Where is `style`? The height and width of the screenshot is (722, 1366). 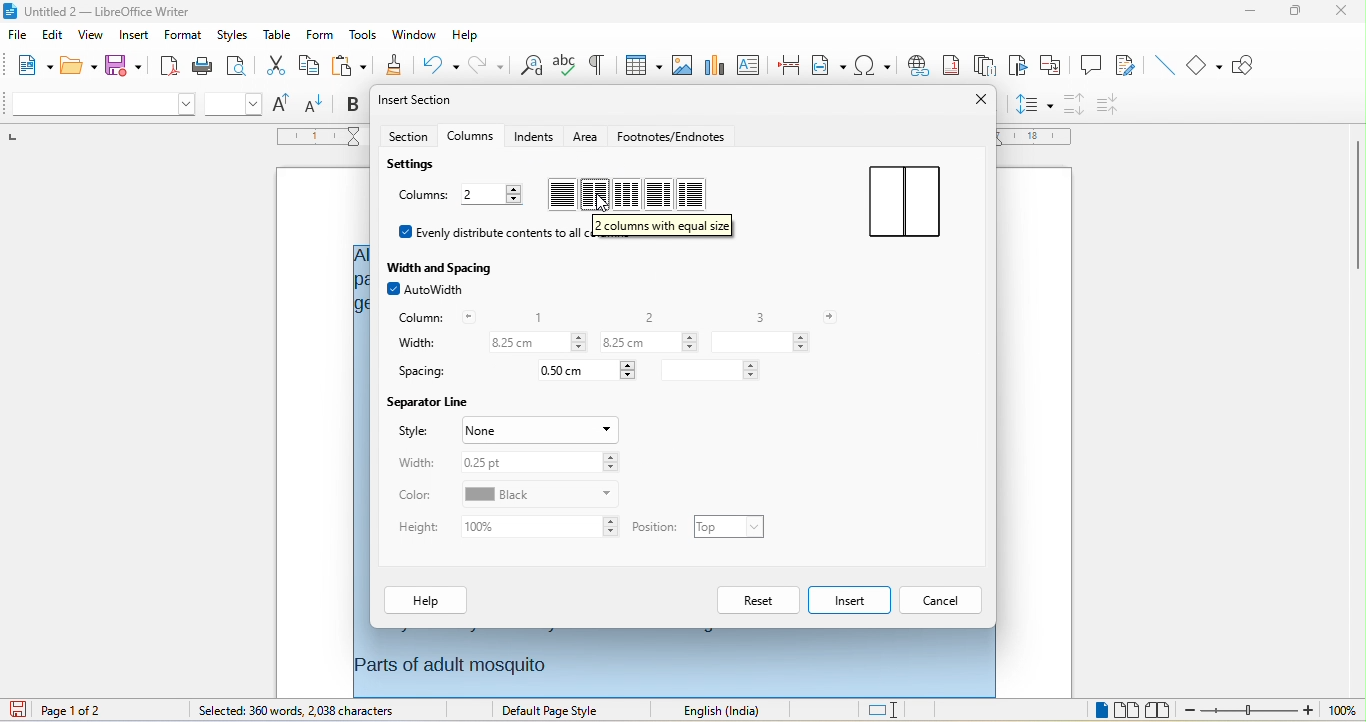 style is located at coordinates (412, 430).